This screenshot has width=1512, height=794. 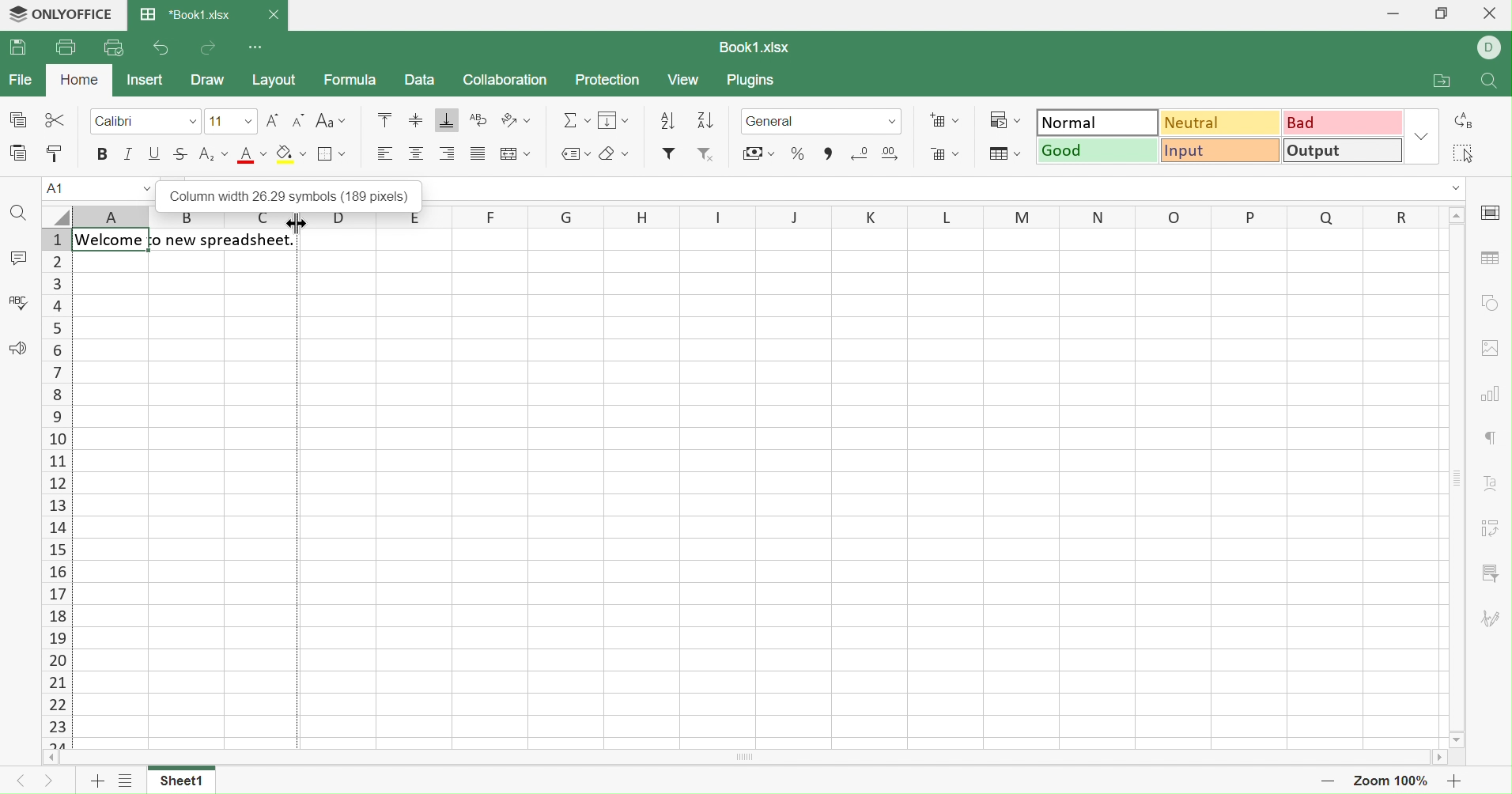 I want to click on image settings, so click(x=1494, y=348).